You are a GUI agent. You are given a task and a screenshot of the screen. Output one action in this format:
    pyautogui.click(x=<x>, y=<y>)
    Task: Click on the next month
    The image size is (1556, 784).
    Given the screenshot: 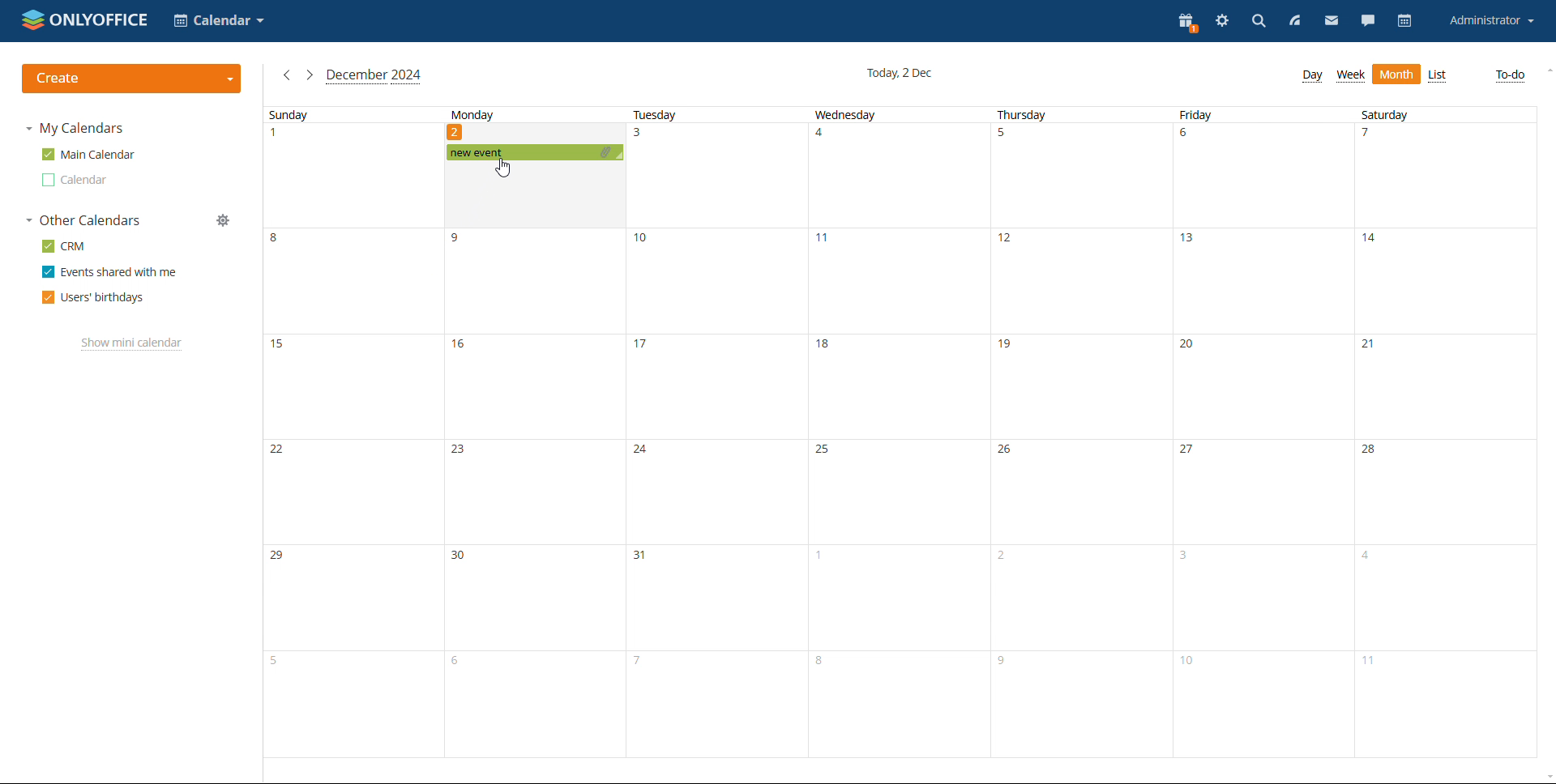 What is the action you would take?
    pyautogui.click(x=310, y=76)
    